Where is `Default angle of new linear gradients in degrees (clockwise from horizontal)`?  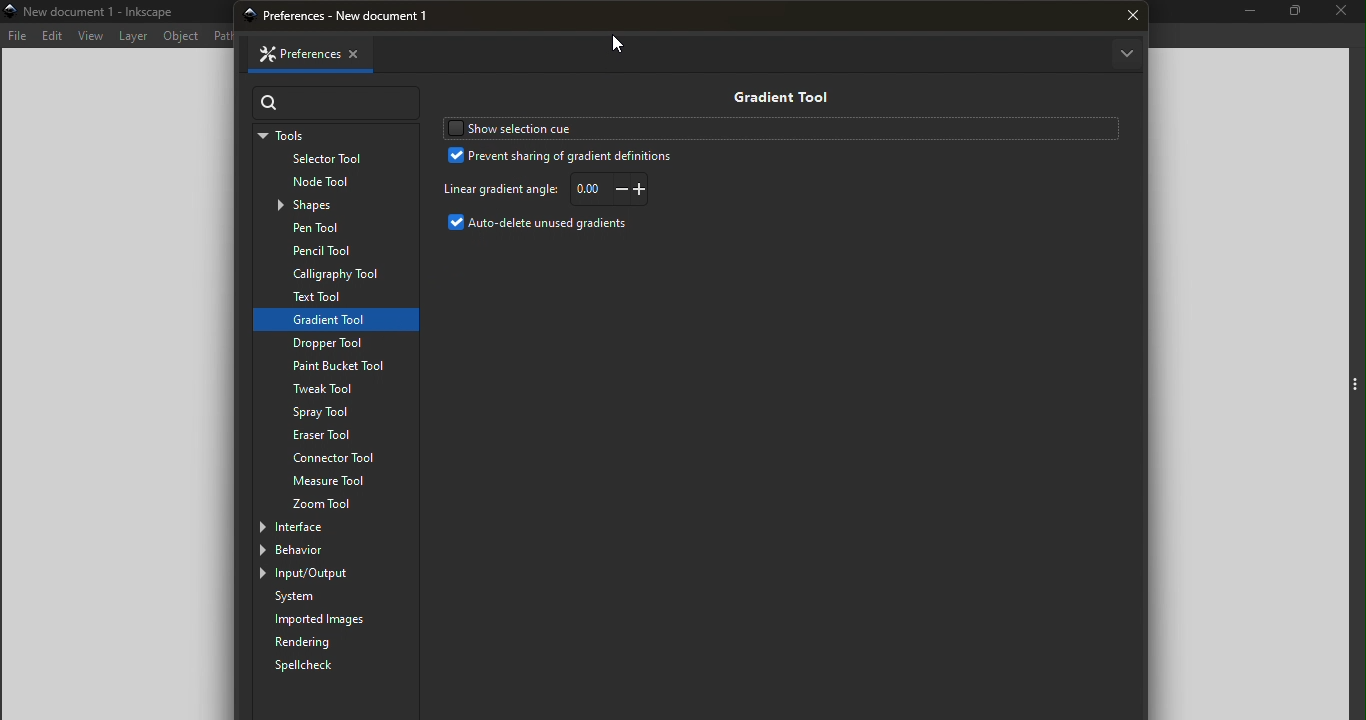 Default angle of new linear gradients in degrees (clockwise from horizontal) is located at coordinates (612, 188).